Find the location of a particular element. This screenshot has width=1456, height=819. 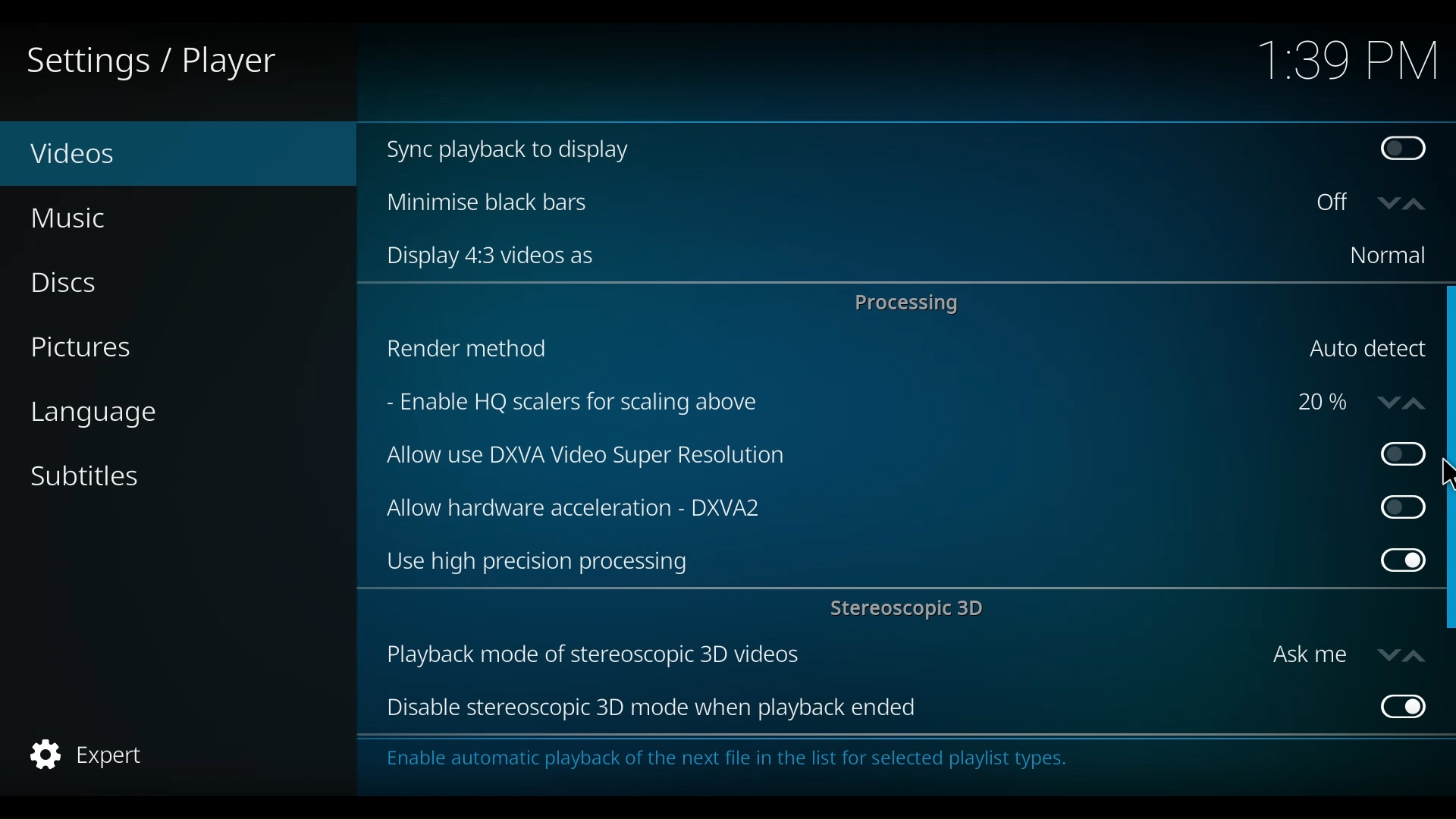

Toggle on/off Allow hardware accelaration is located at coordinates (1398, 507).